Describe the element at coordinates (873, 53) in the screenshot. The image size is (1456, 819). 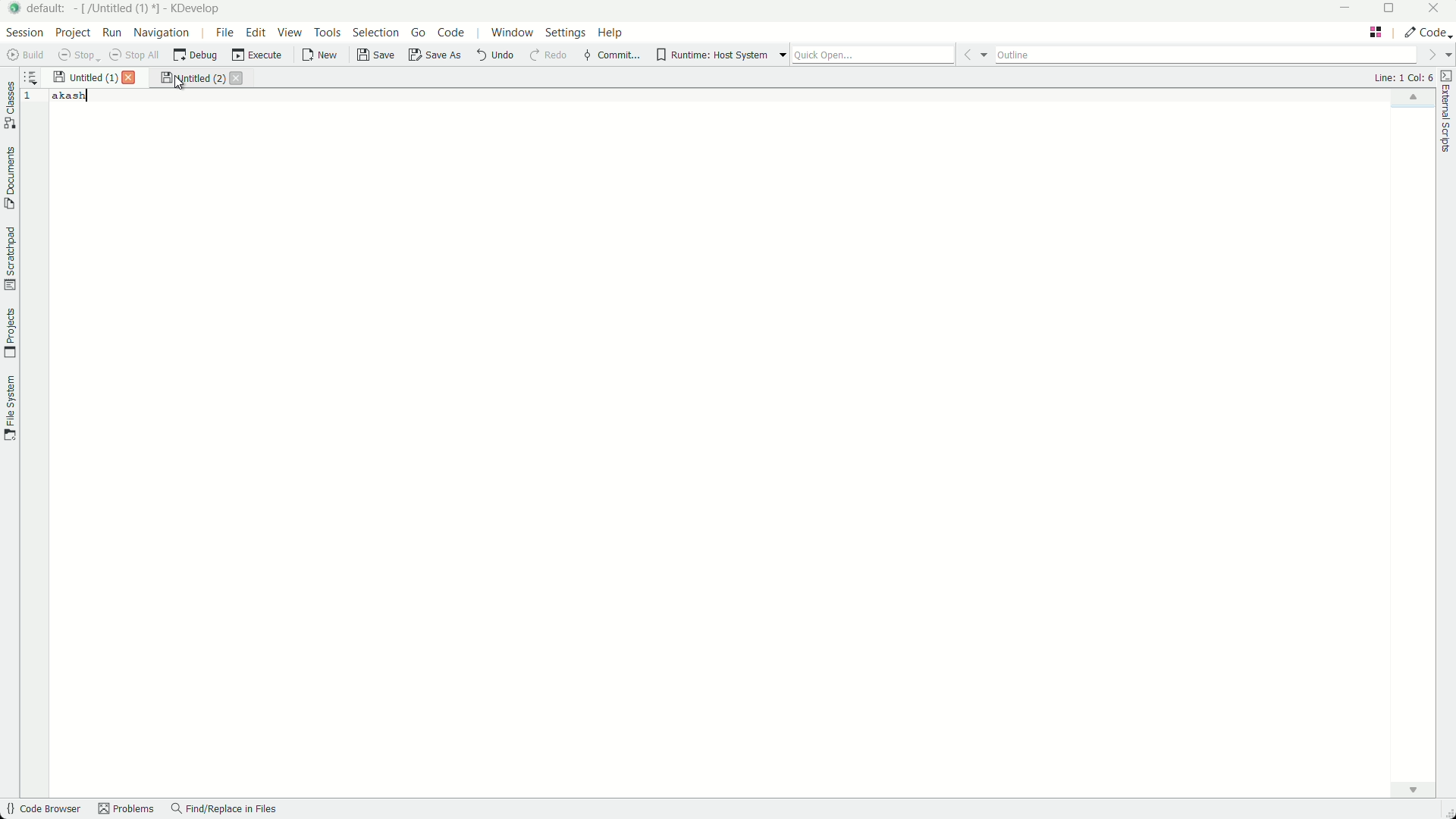
I see `quick open` at that location.